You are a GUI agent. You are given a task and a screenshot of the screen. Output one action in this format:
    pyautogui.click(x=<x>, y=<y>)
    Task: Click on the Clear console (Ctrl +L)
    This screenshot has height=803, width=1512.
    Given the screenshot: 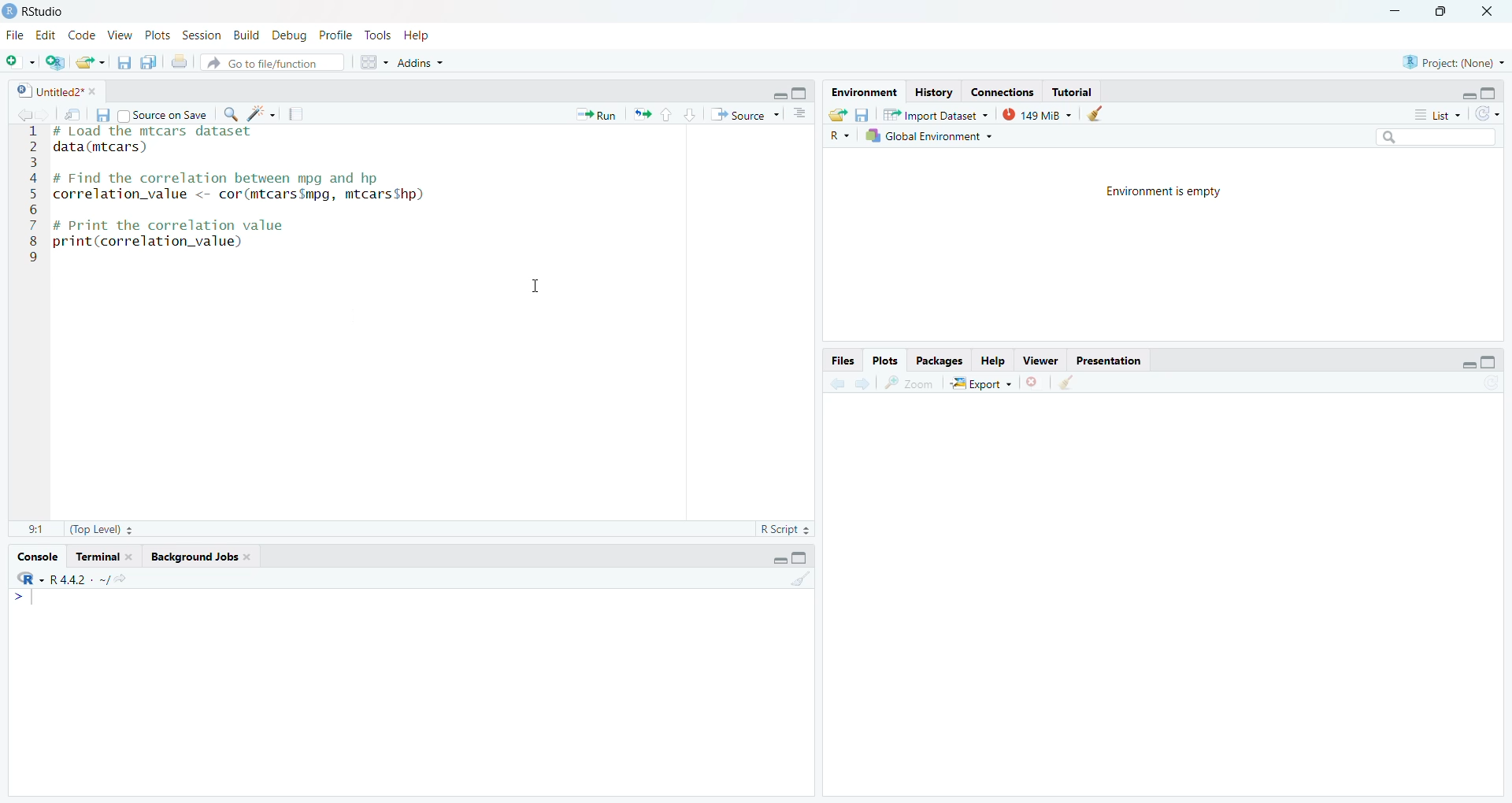 What is the action you would take?
    pyautogui.click(x=1068, y=385)
    